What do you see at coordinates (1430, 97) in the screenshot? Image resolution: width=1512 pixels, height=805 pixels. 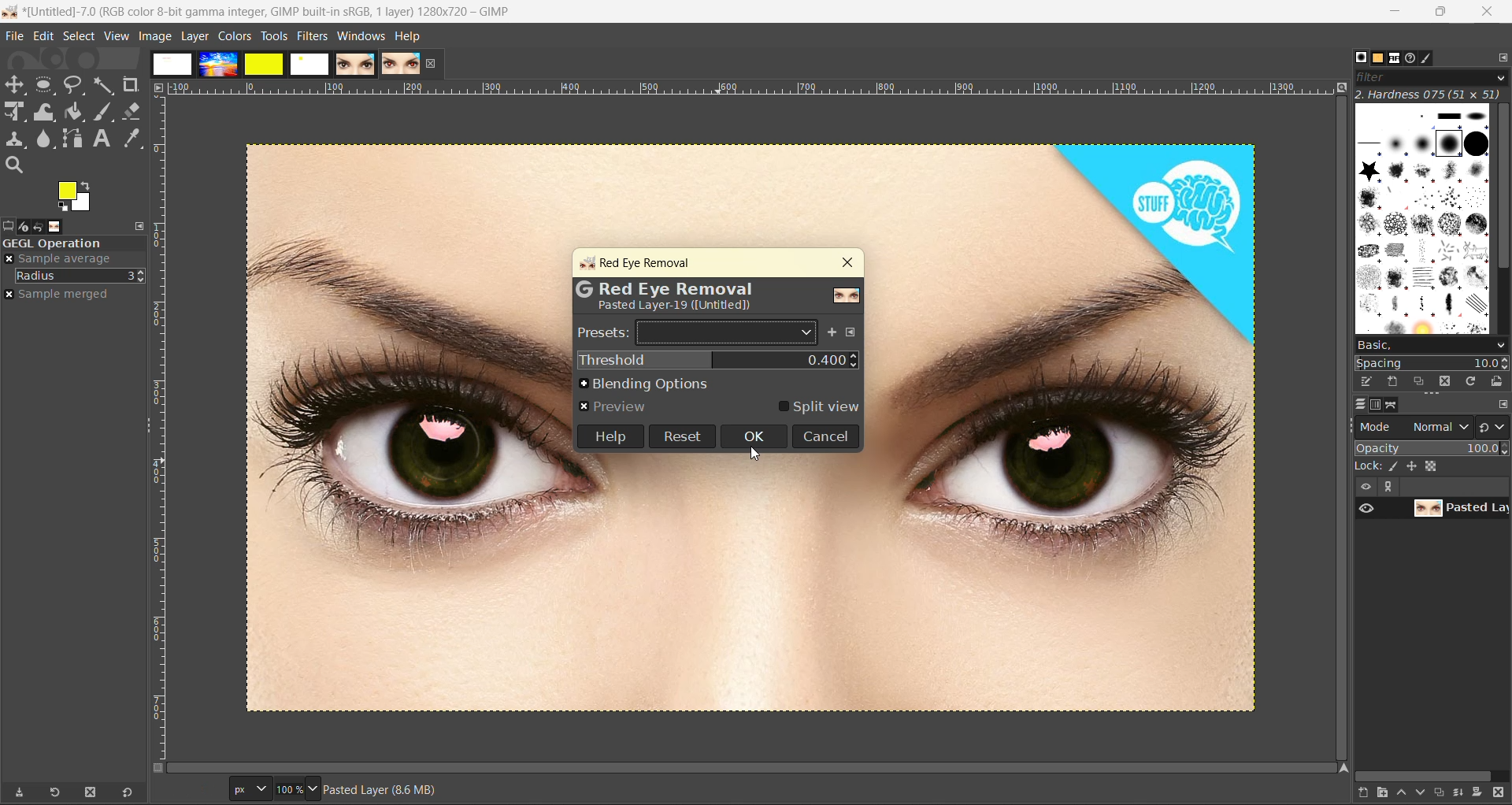 I see `hardness` at bounding box center [1430, 97].